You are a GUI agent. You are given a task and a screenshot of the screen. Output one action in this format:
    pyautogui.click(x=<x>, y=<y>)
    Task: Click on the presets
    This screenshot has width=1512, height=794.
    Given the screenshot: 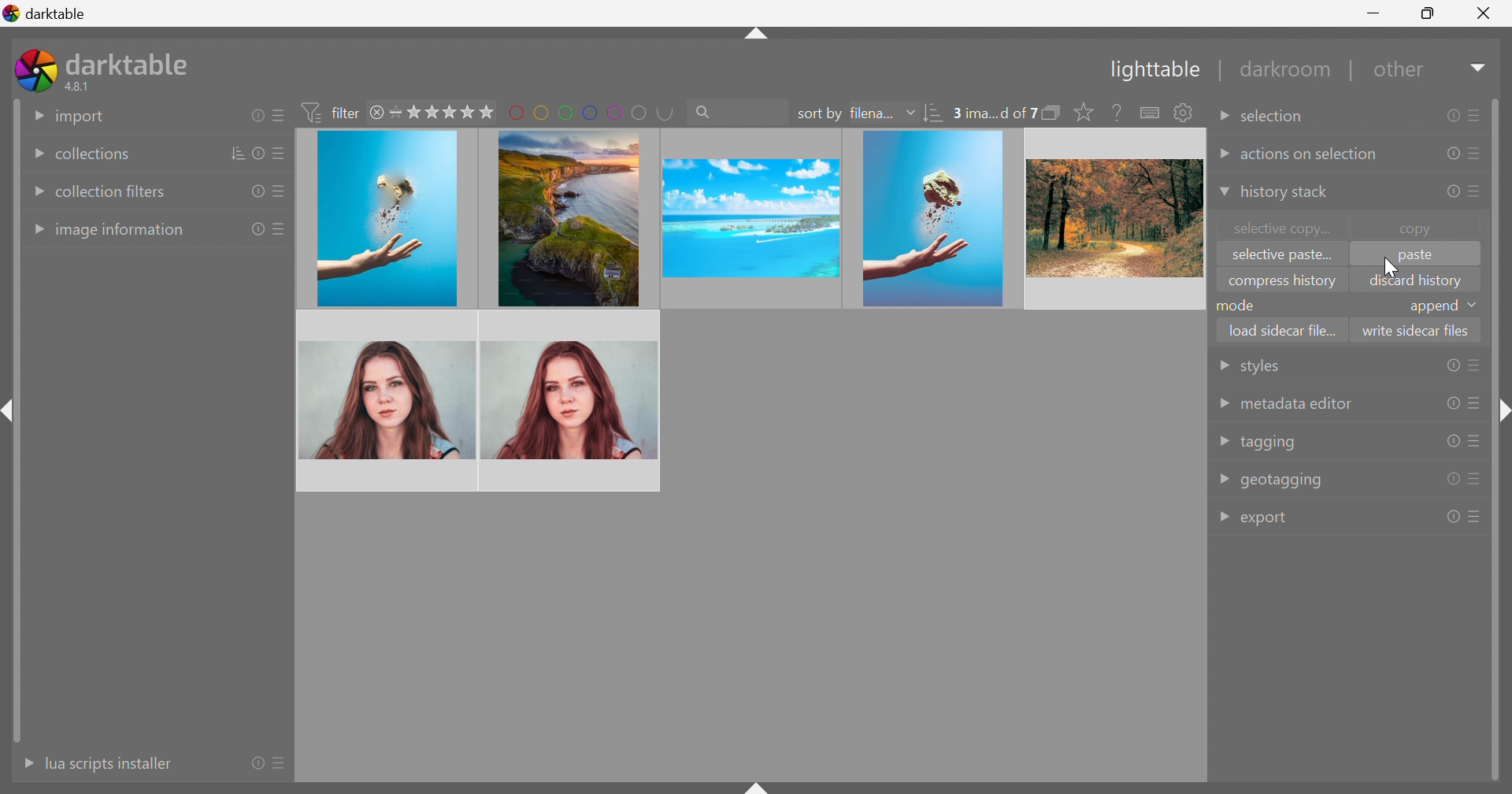 What is the action you would take?
    pyautogui.click(x=1478, y=190)
    